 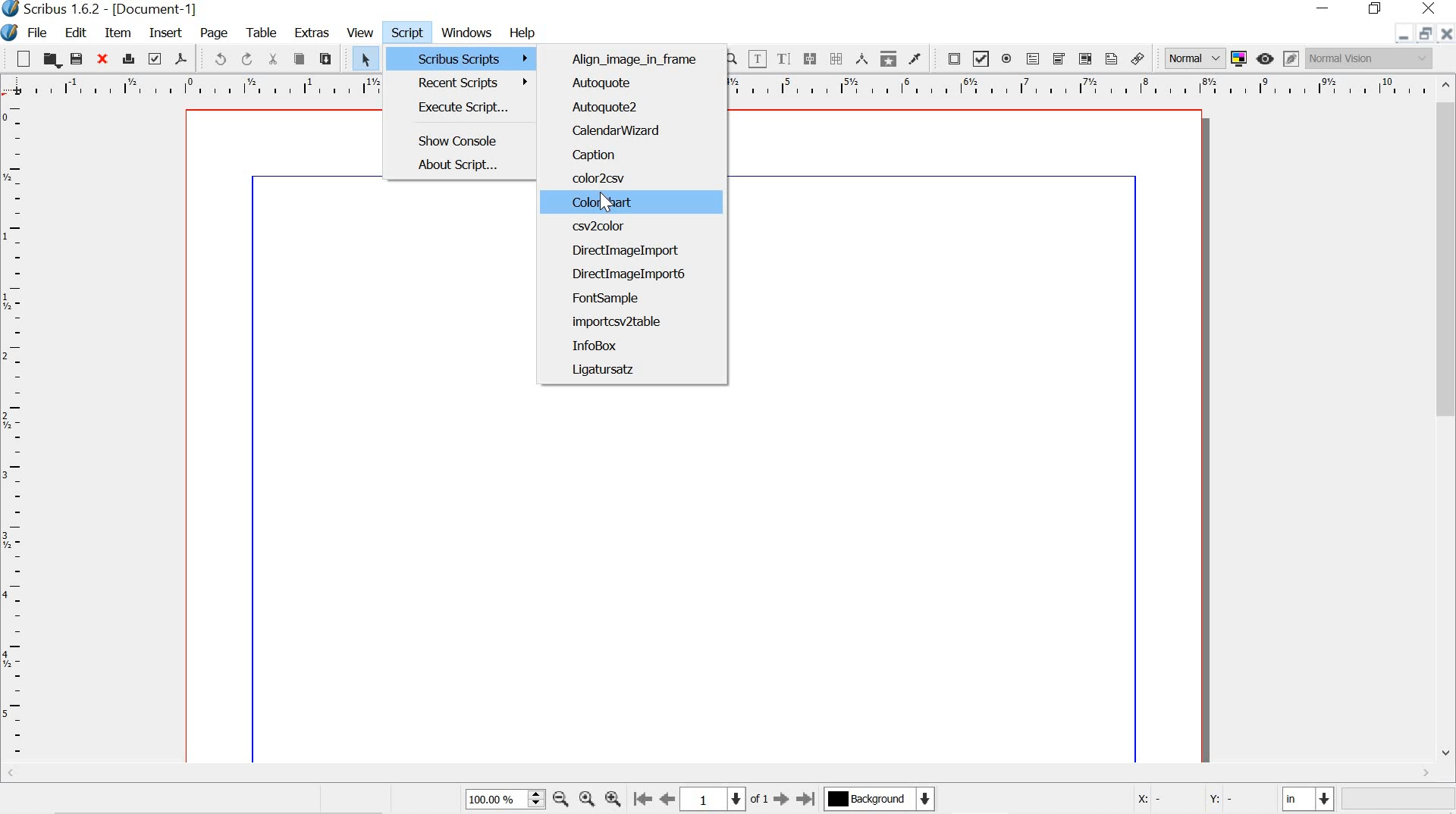 I want to click on link text frames, so click(x=810, y=58).